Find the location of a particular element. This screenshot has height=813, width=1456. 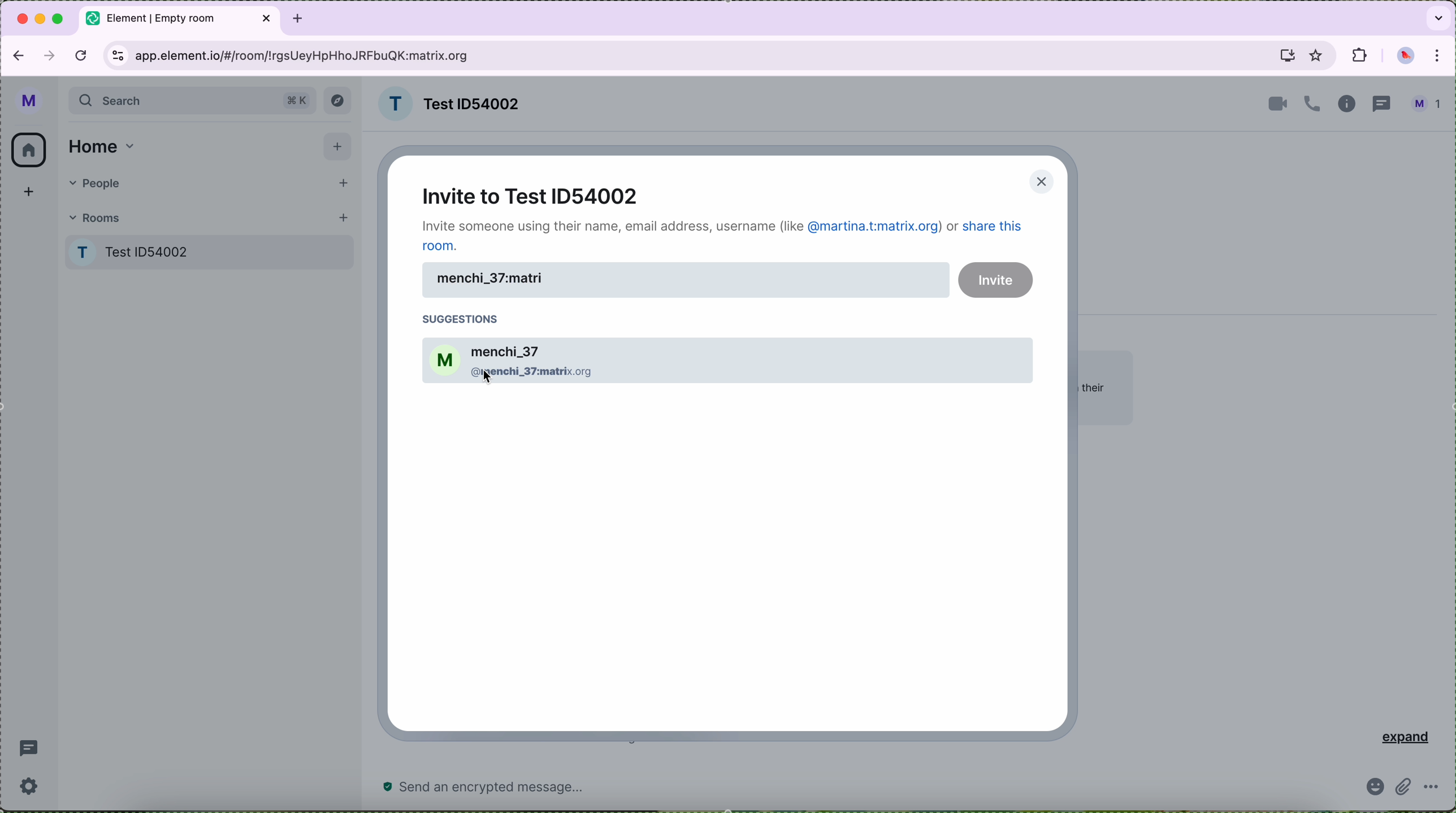

settings is located at coordinates (29, 785).